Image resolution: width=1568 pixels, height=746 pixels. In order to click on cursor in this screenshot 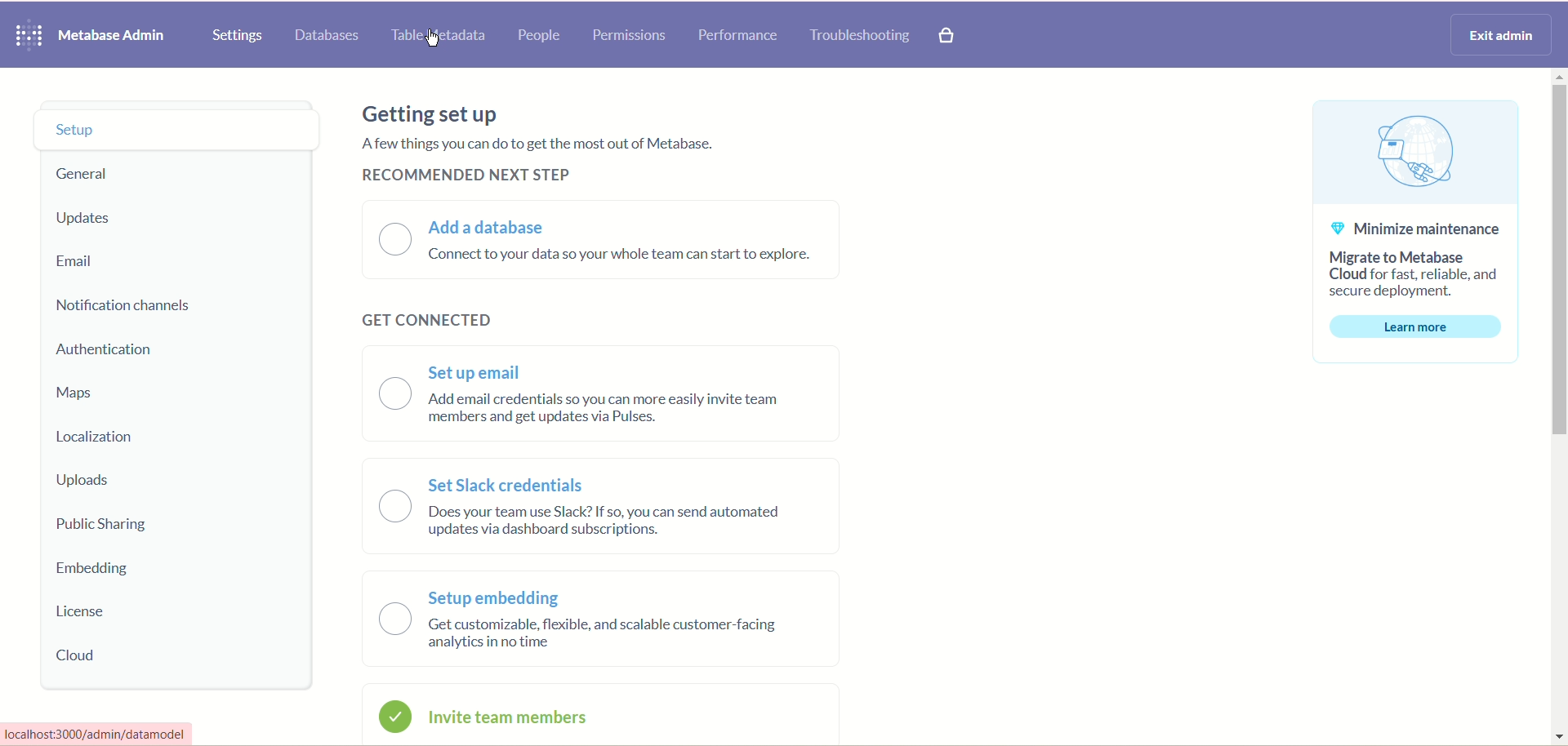, I will do `click(432, 42)`.